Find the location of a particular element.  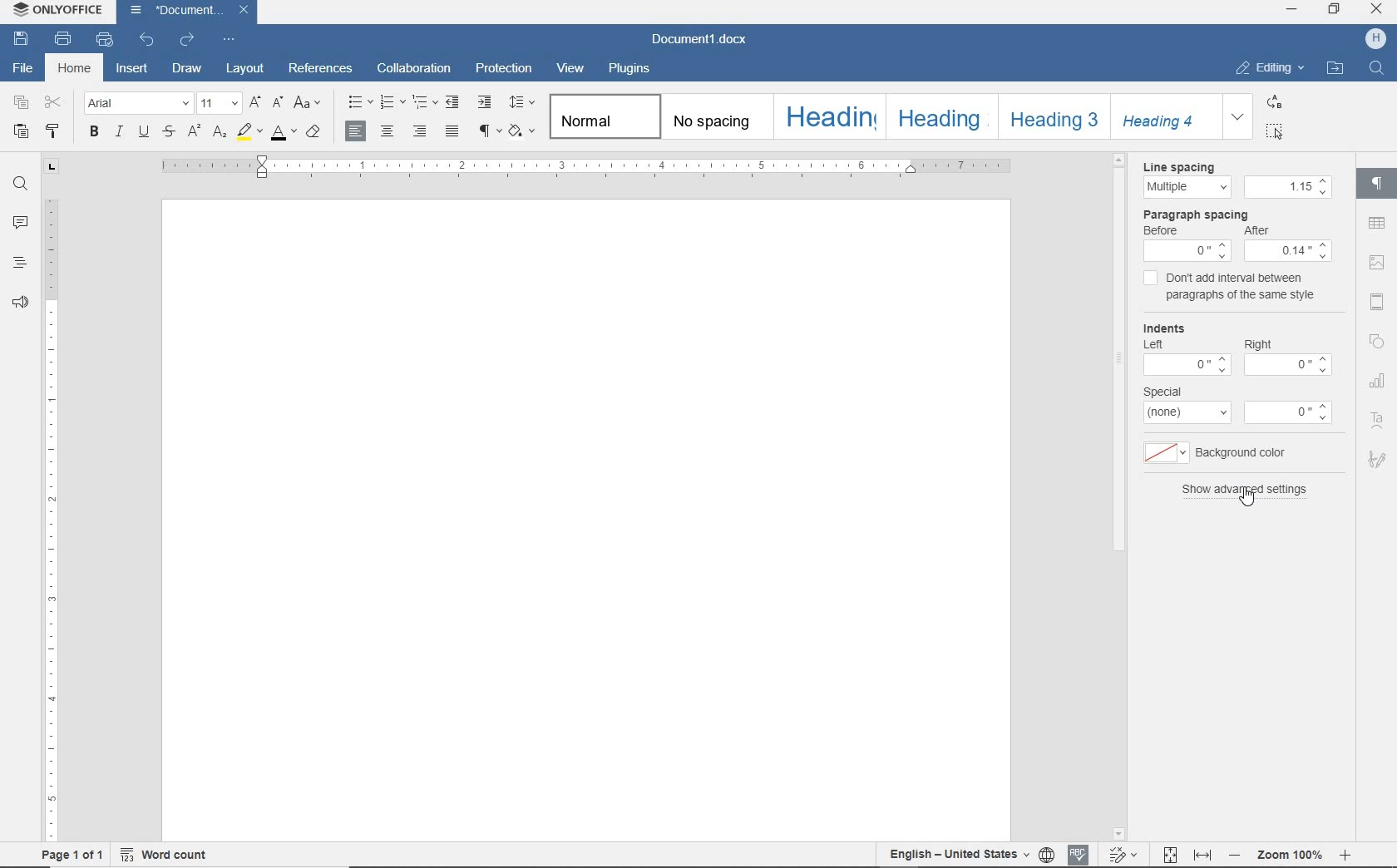

bullets is located at coordinates (361, 104).